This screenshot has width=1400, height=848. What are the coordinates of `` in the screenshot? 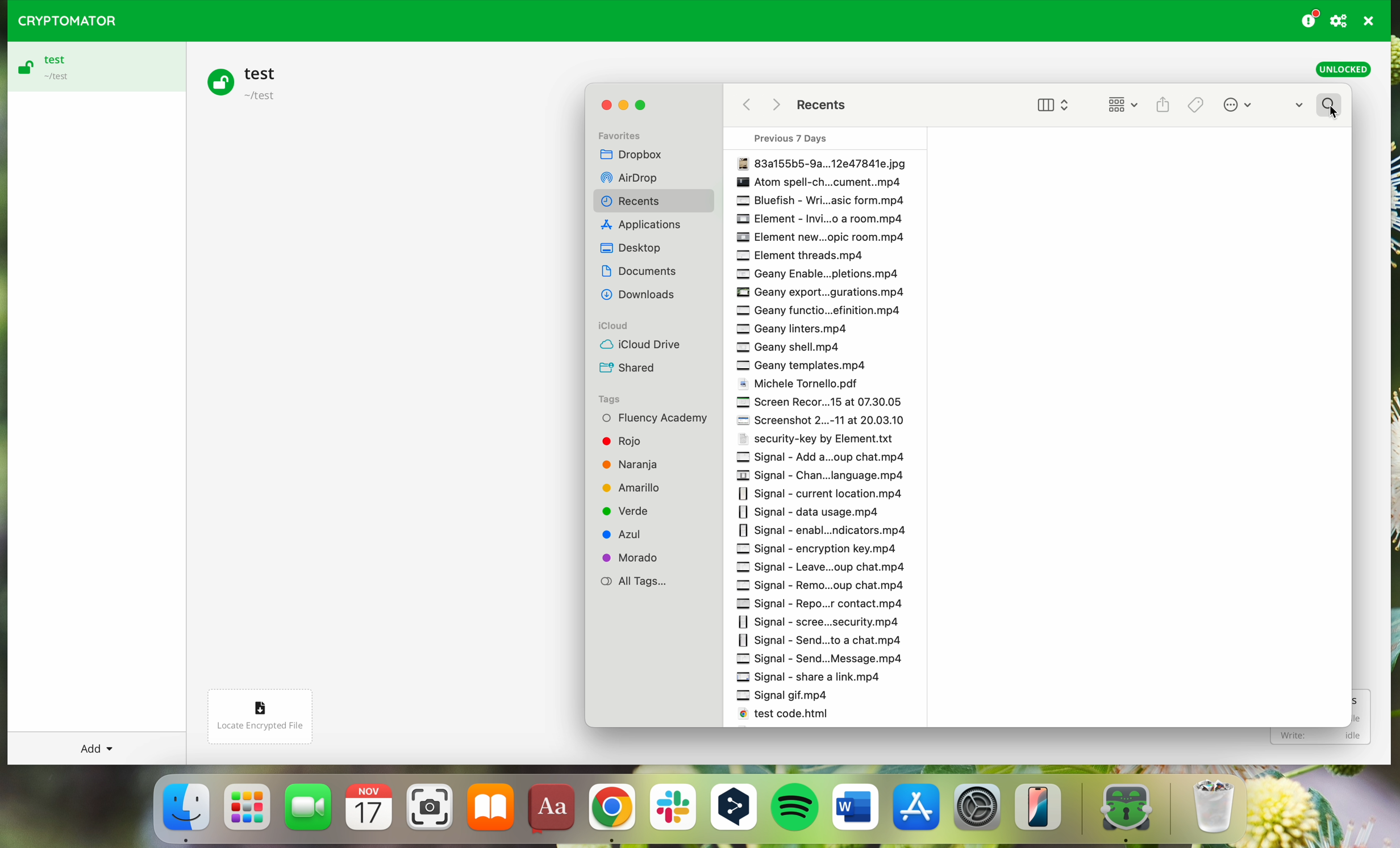 It's located at (639, 177).